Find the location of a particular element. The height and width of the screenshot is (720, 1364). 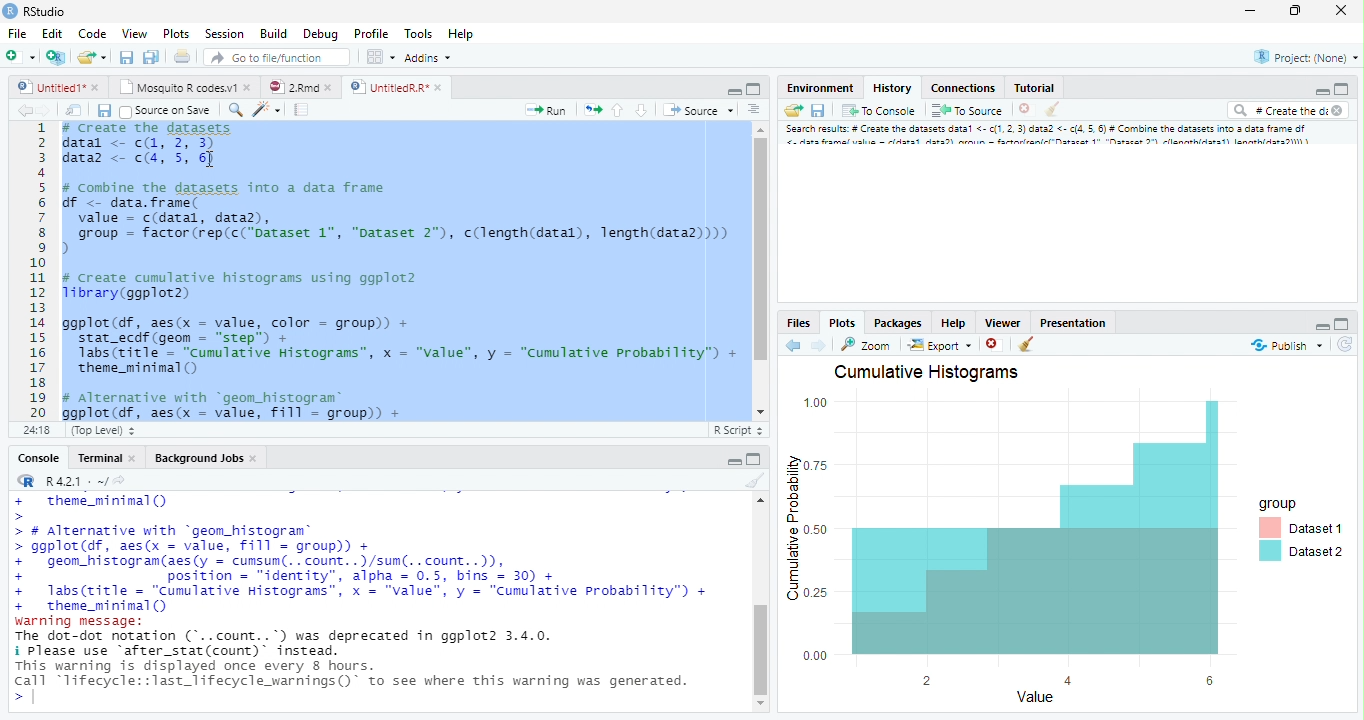

Zoom is located at coordinates (235, 112).